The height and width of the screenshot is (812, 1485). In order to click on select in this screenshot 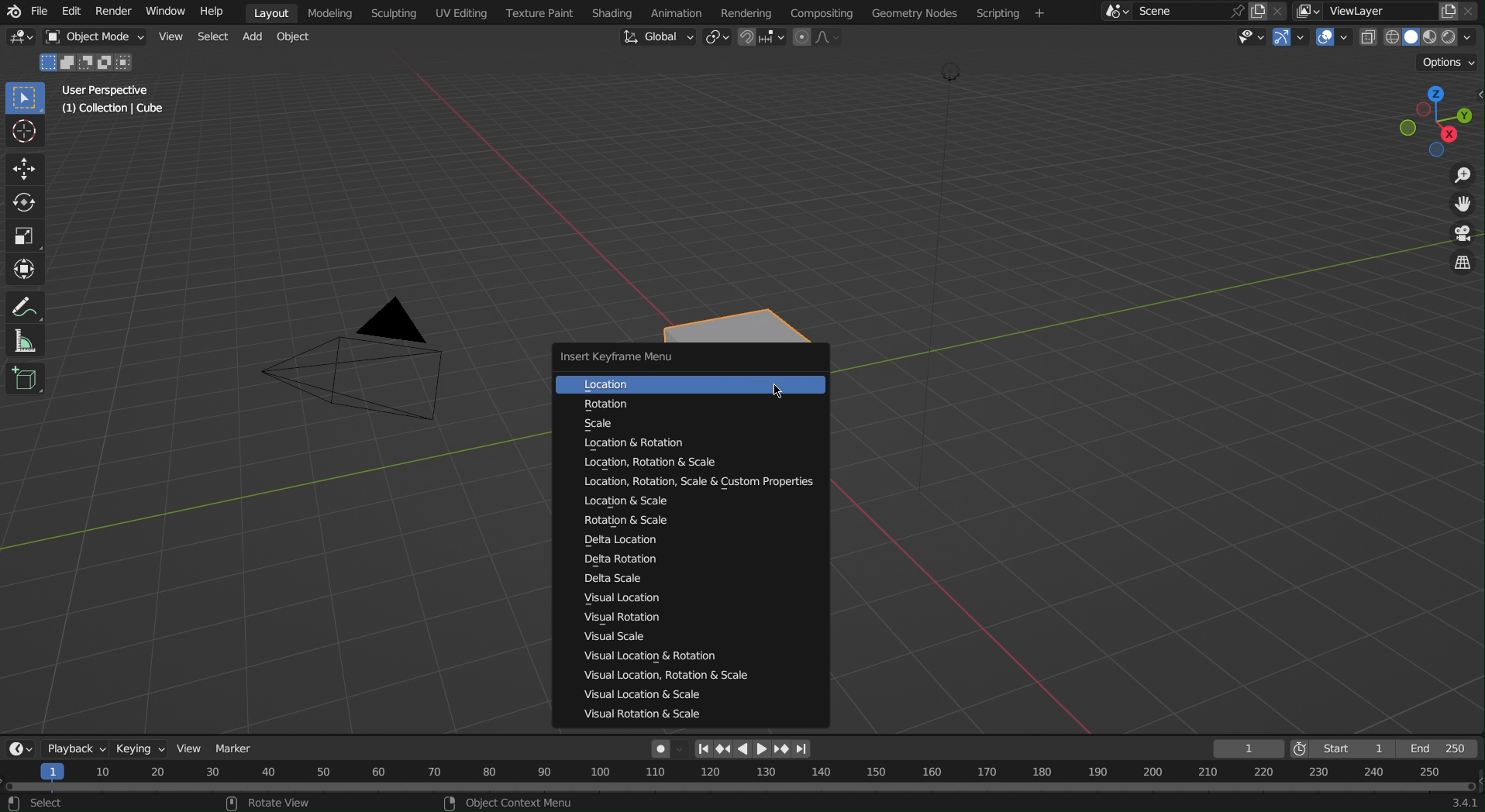, I will do `click(45, 61)`.